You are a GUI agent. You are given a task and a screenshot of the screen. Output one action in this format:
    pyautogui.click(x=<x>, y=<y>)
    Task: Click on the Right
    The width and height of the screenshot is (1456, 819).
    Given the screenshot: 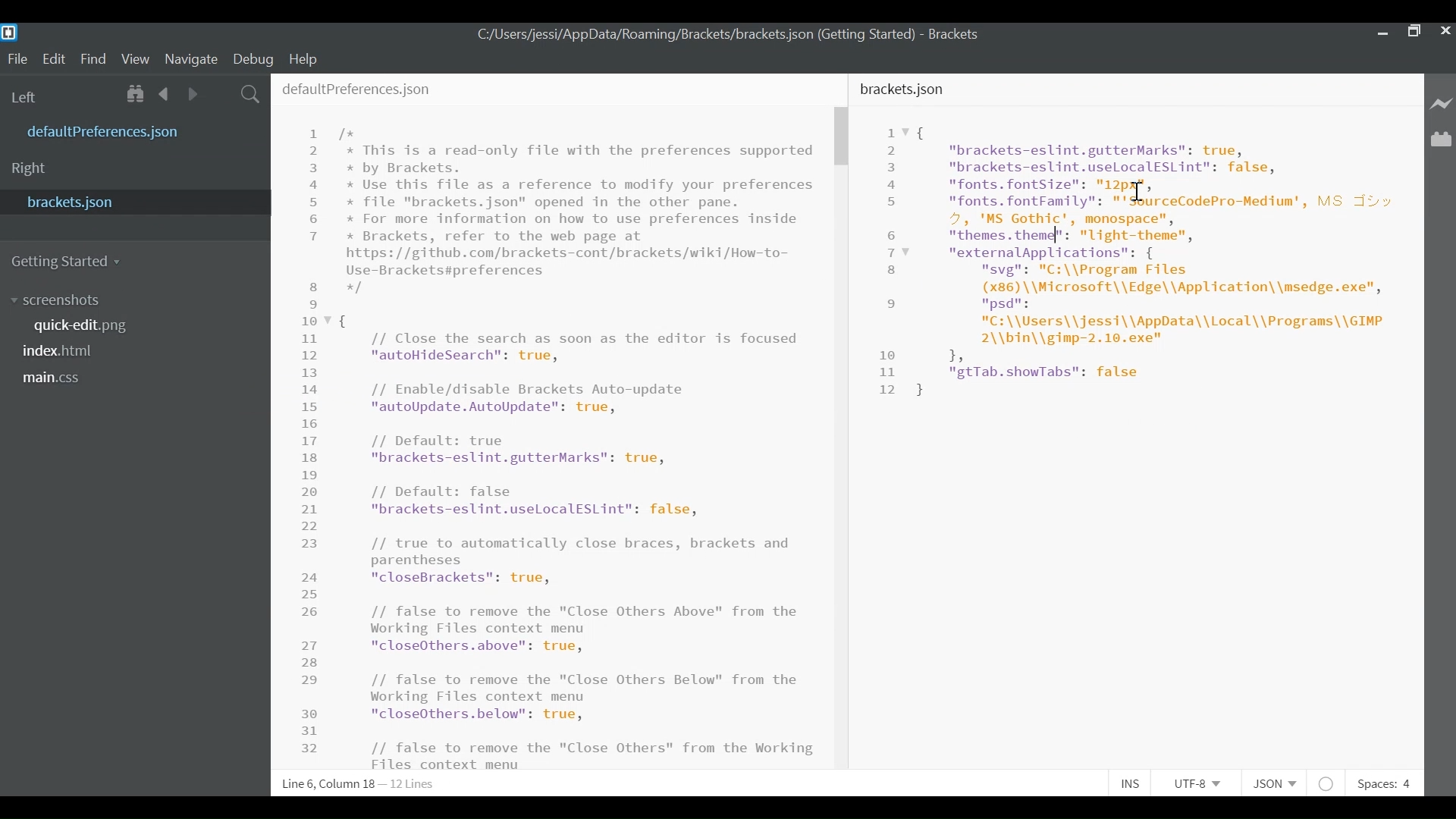 What is the action you would take?
    pyautogui.click(x=29, y=170)
    